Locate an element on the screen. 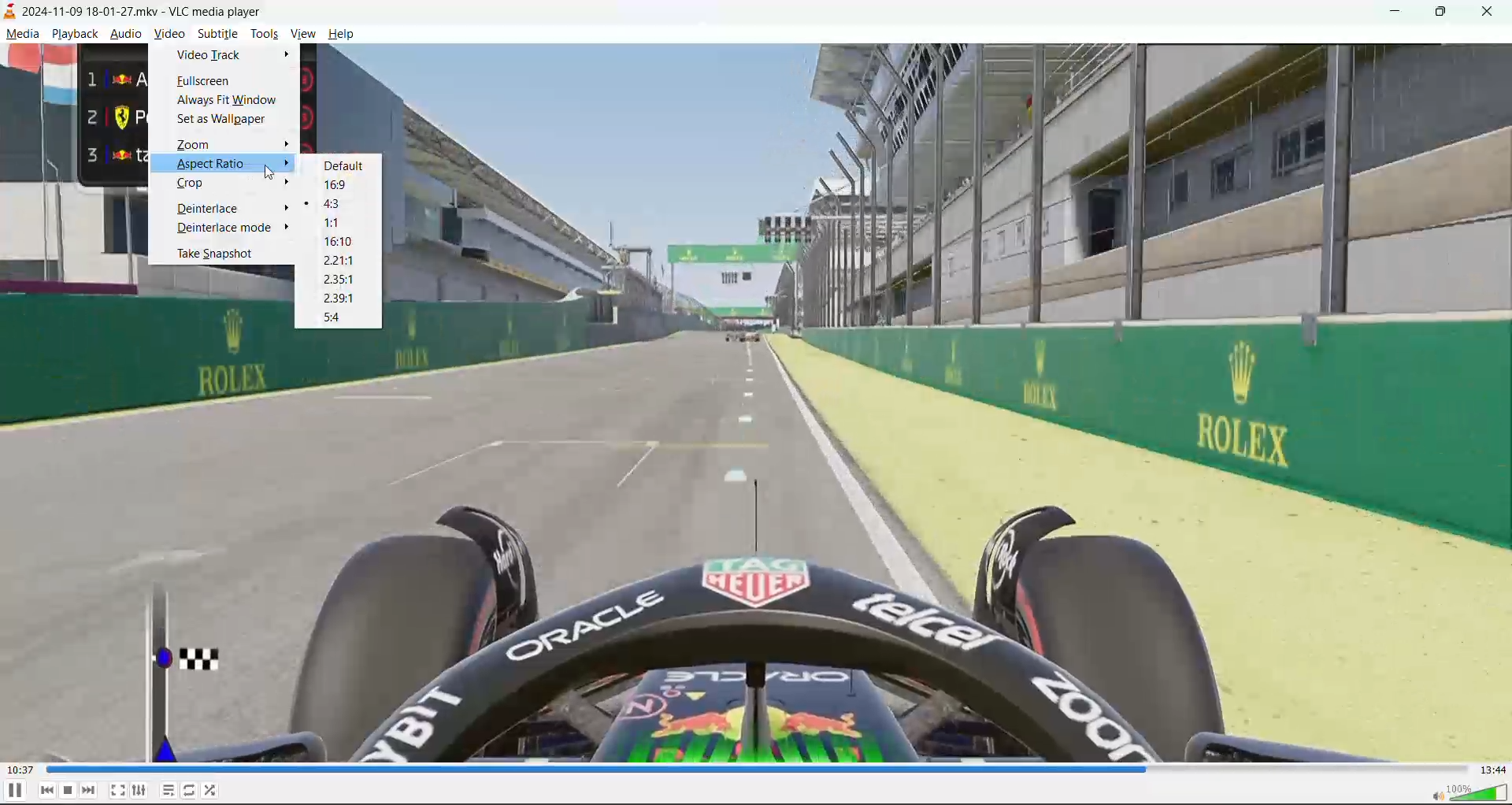 The width and height of the screenshot is (1512, 805). volume is located at coordinates (1469, 795).